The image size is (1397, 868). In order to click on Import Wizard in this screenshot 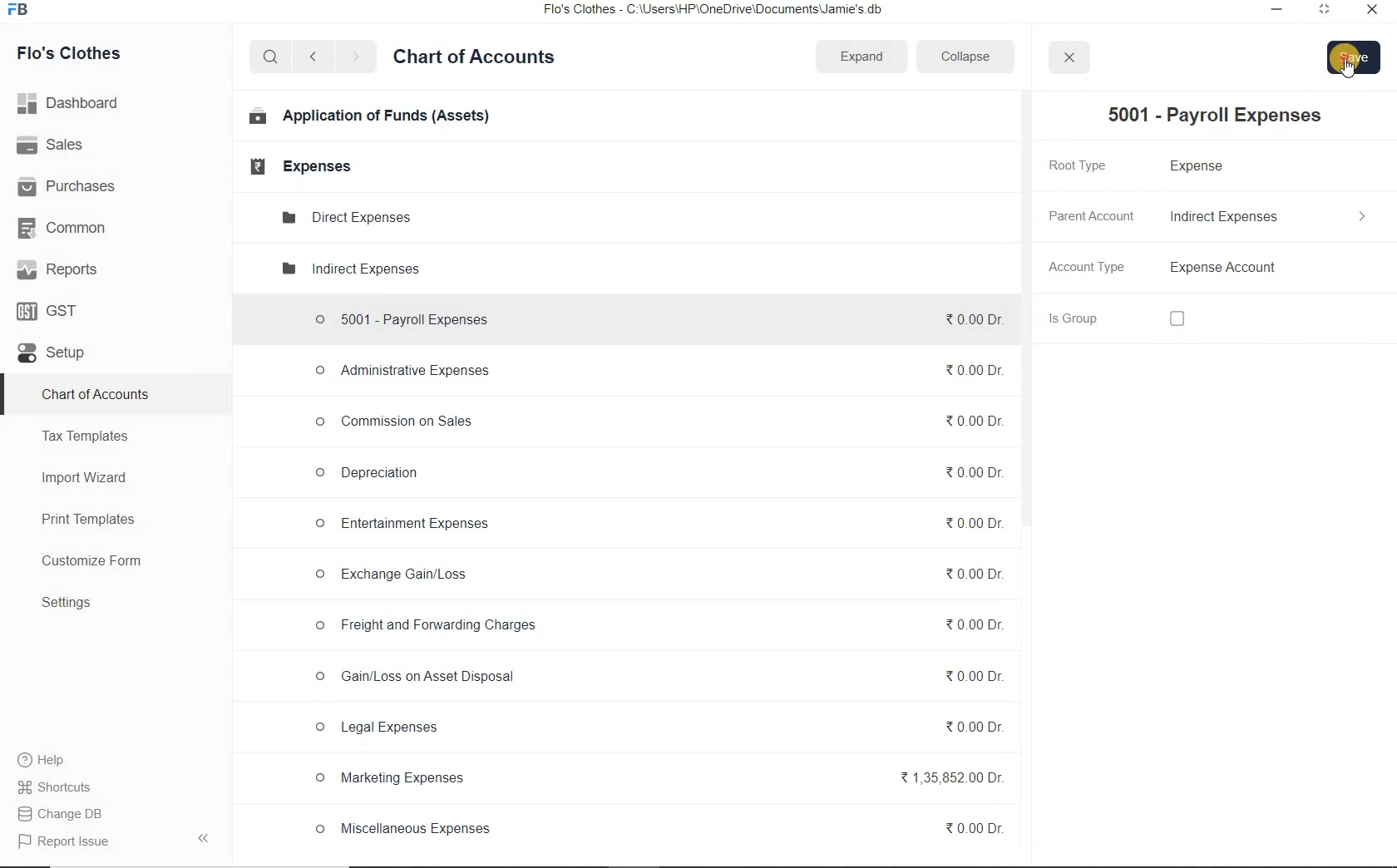, I will do `click(86, 477)`.